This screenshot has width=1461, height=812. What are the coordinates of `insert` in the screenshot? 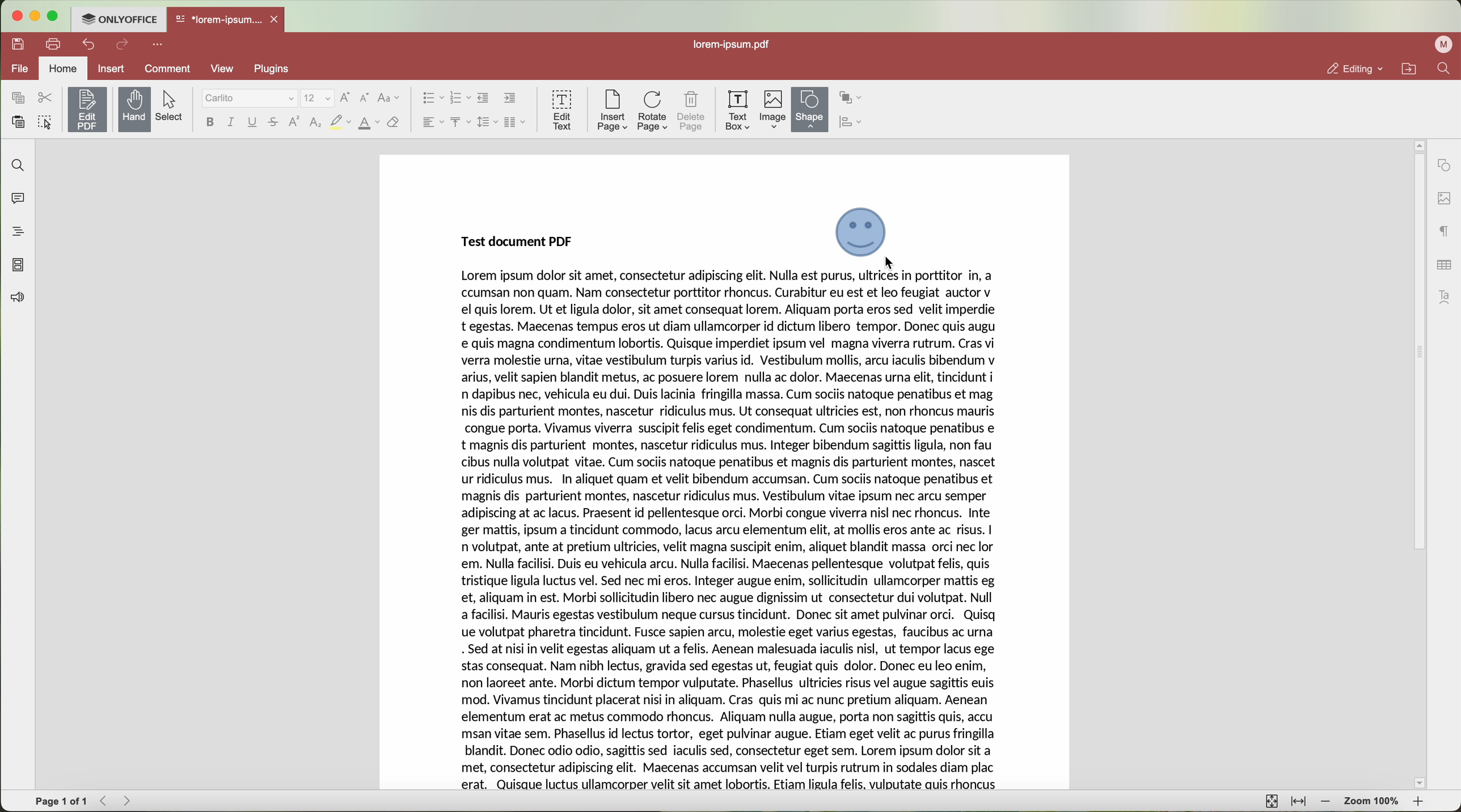 It's located at (112, 68).